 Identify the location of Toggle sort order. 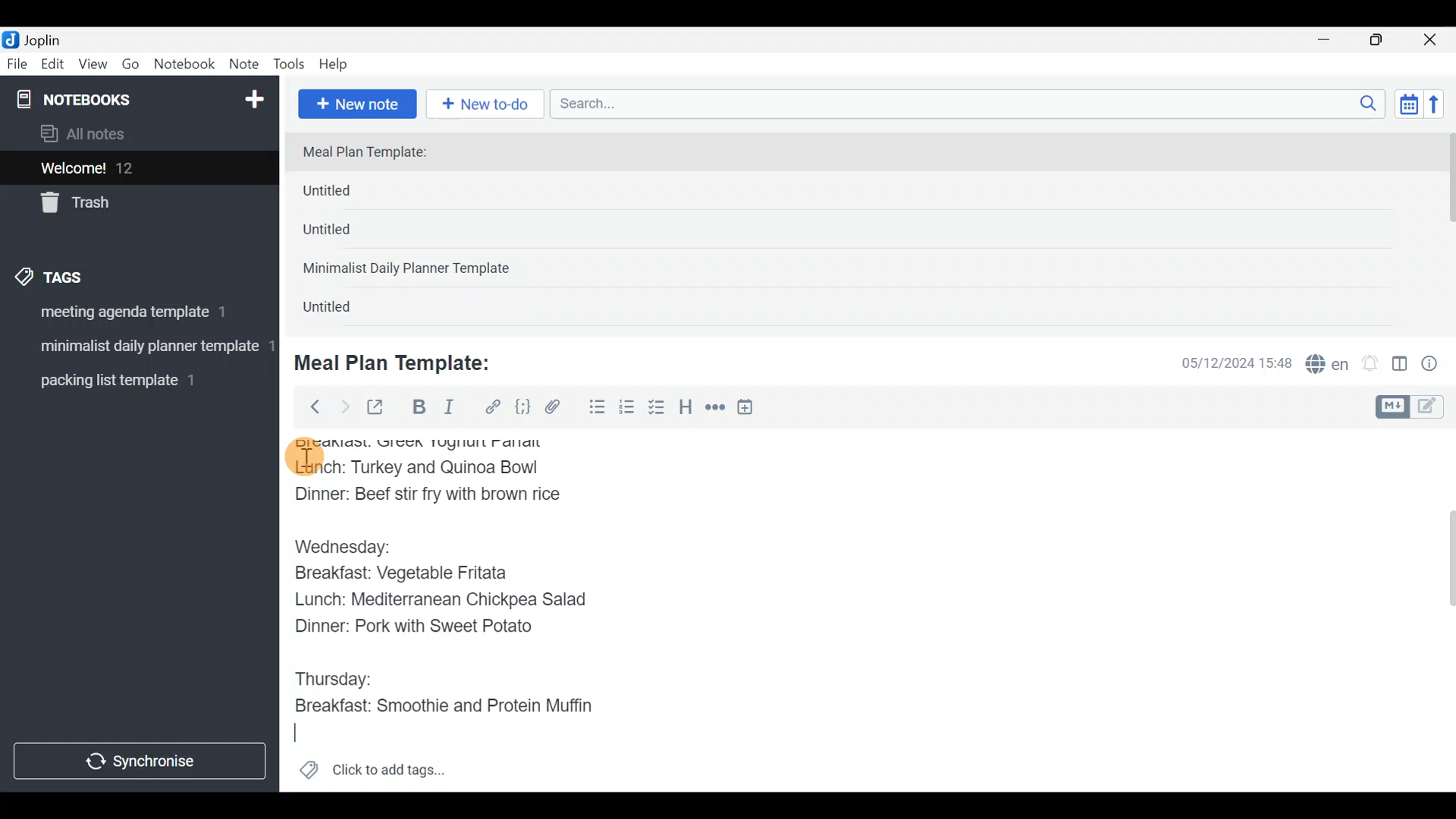
(1408, 105).